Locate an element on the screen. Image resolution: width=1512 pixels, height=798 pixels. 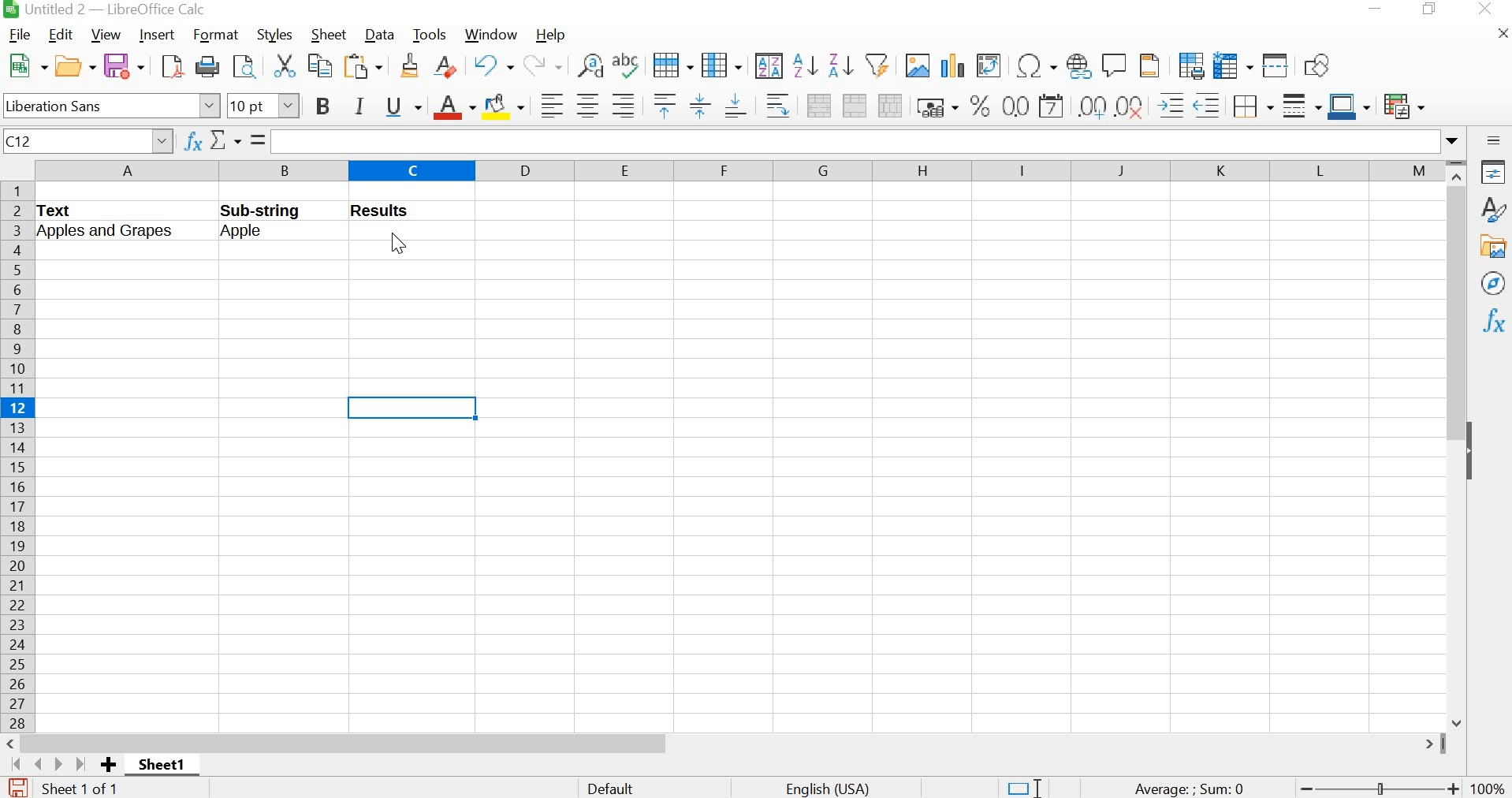
center vertically is located at coordinates (698, 106).